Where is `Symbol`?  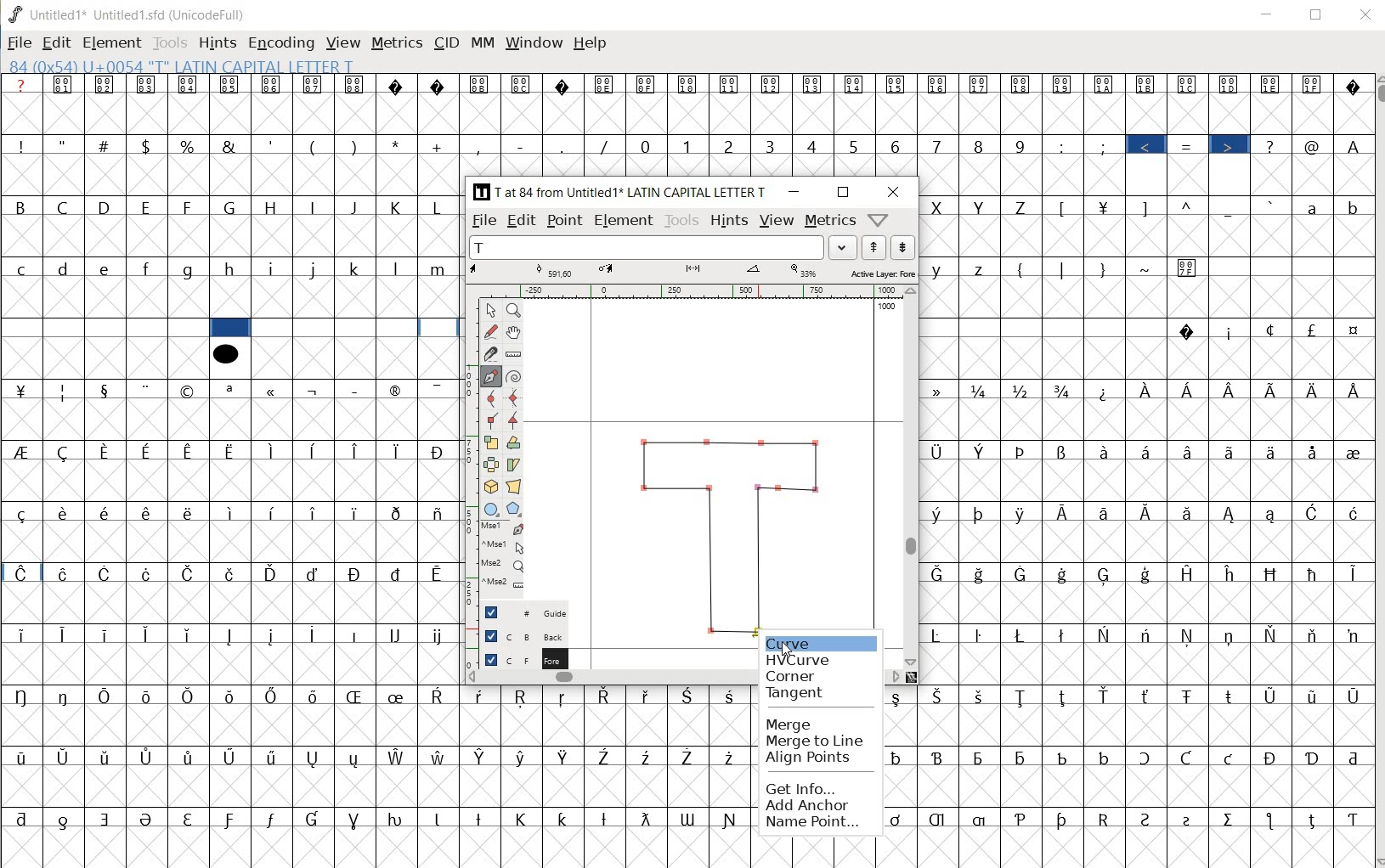
Symbol is located at coordinates (1104, 757).